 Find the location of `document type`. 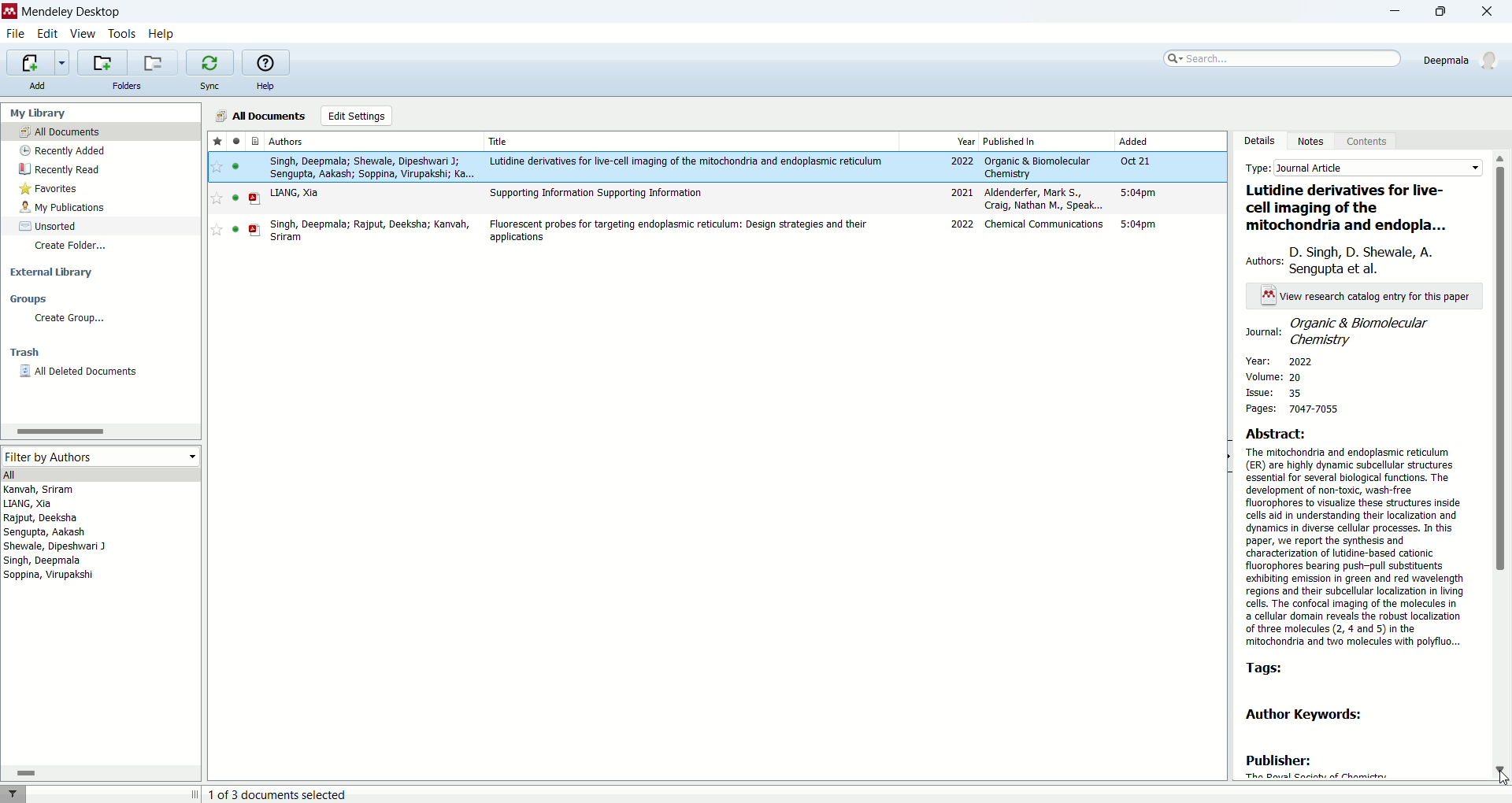

document type is located at coordinates (257, 140).